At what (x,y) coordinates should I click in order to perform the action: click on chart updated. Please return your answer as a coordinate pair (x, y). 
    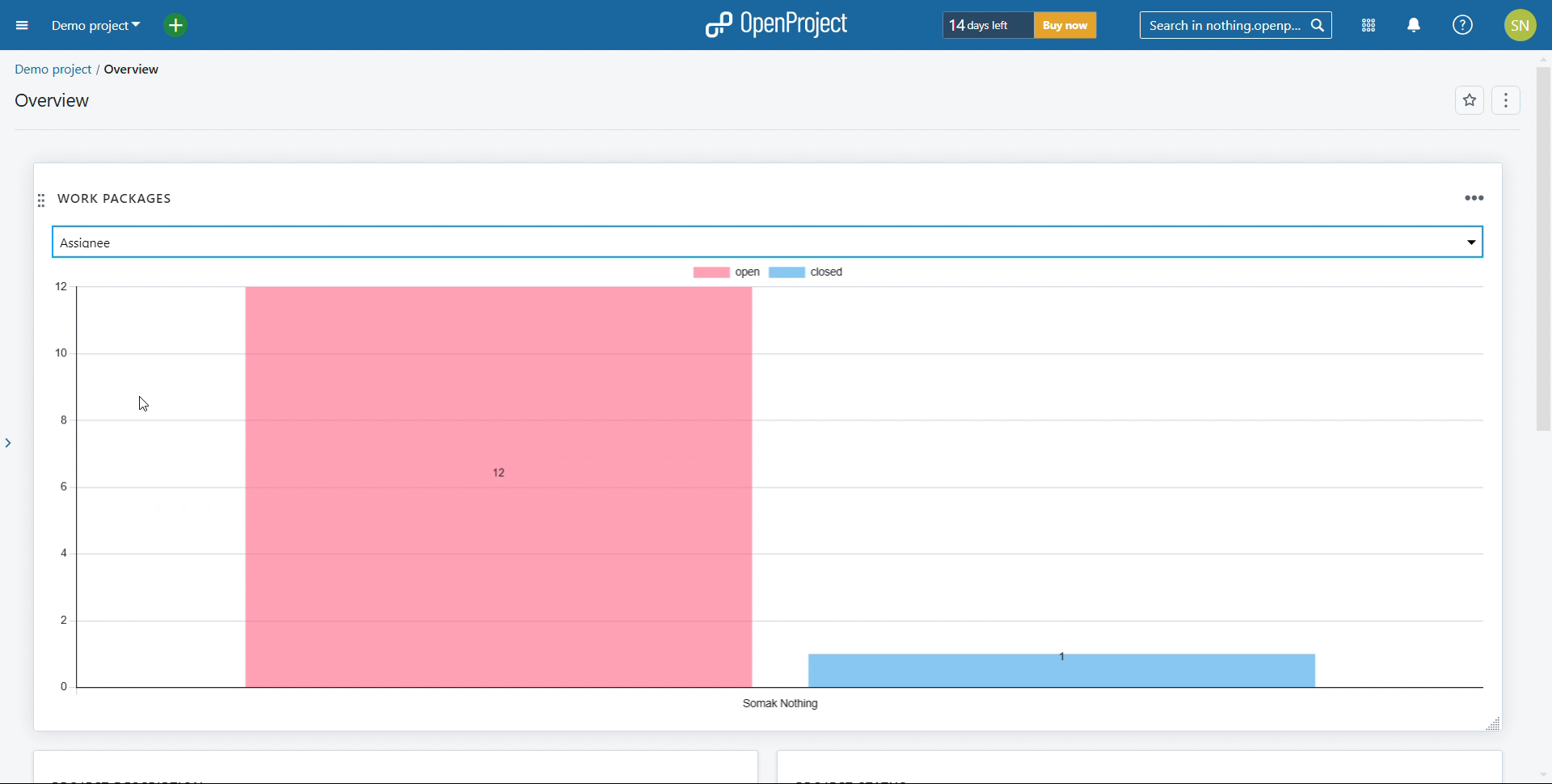
    Looking at the image, I should click on (765, 485).